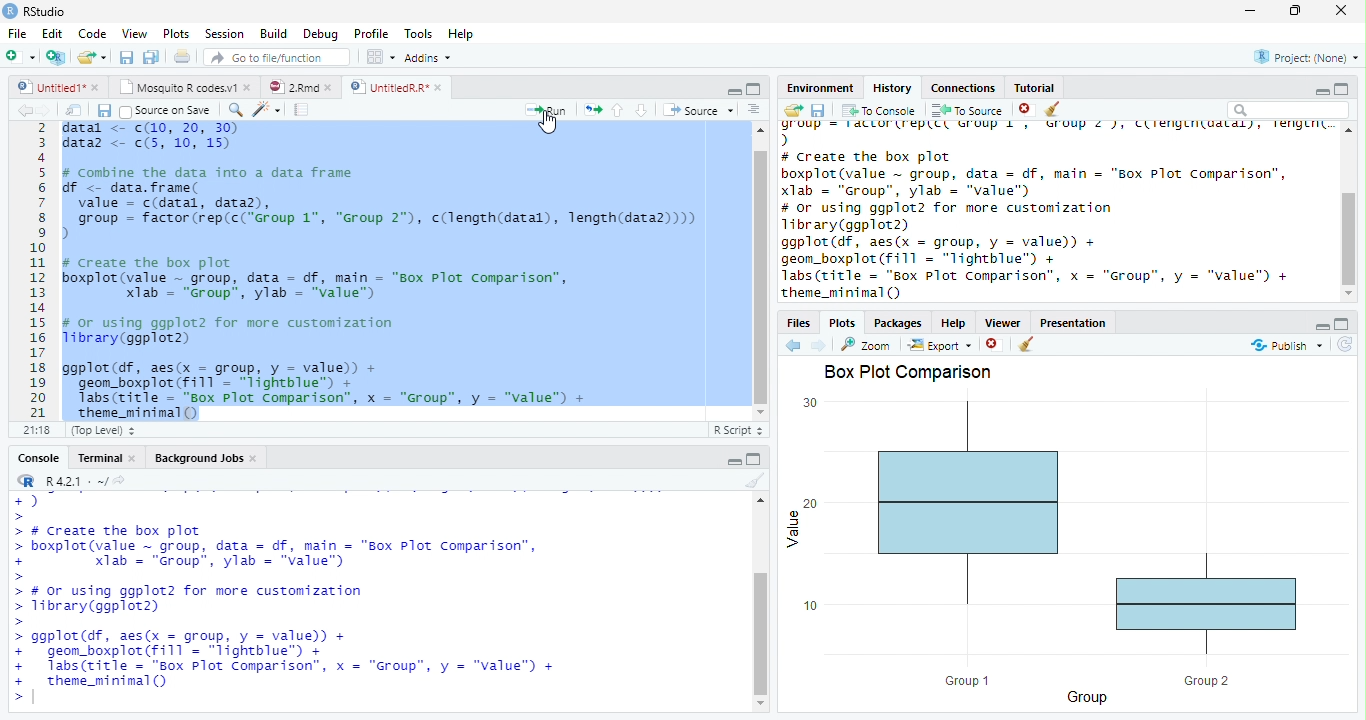  What do you see at coordinates (272, 33) in the screenshot?
I see `Build` at bounding box center [272, 33].